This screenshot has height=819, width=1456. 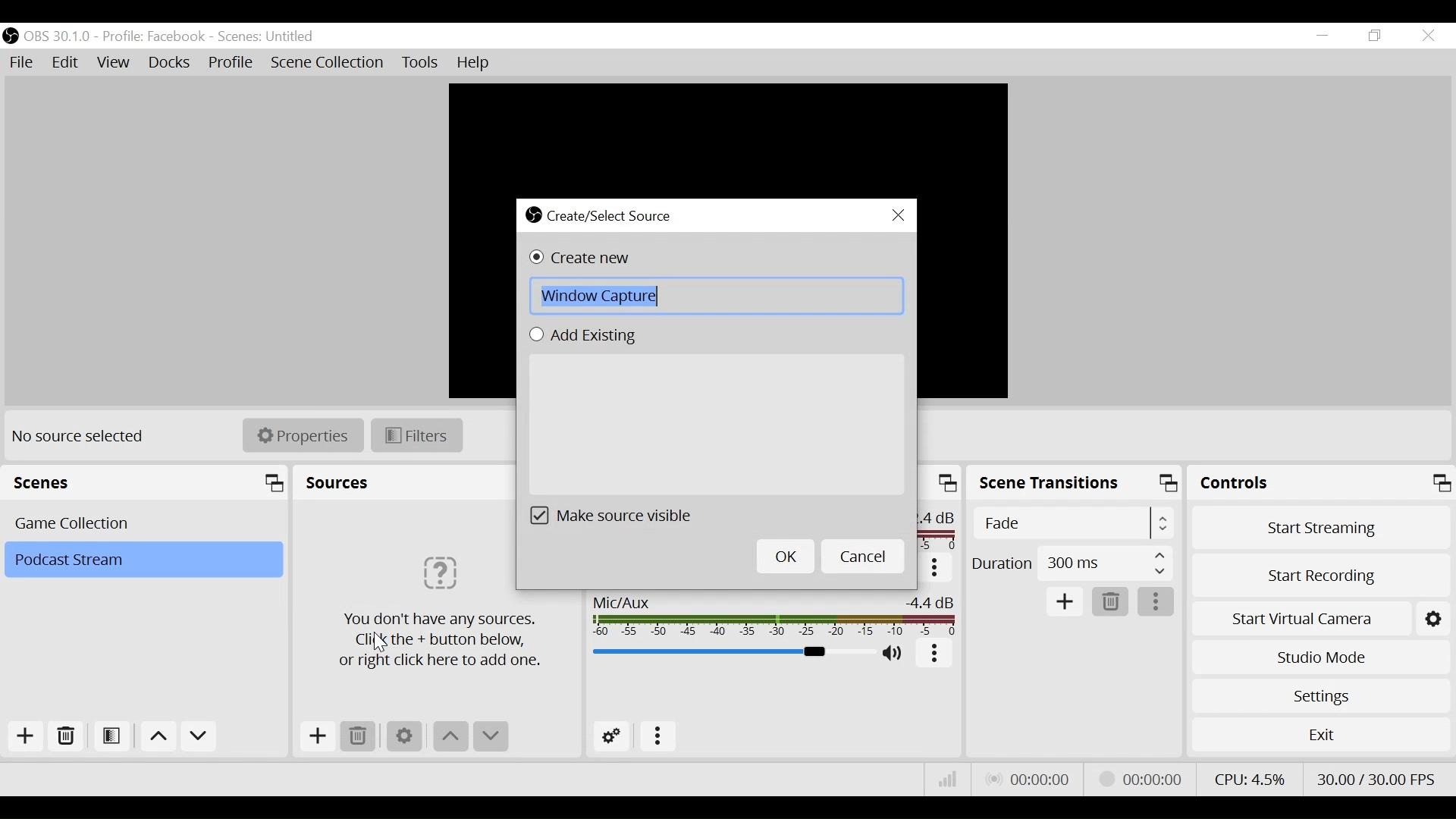 I want to click on Start Virtual Camera, so click(x=1318, y=618).